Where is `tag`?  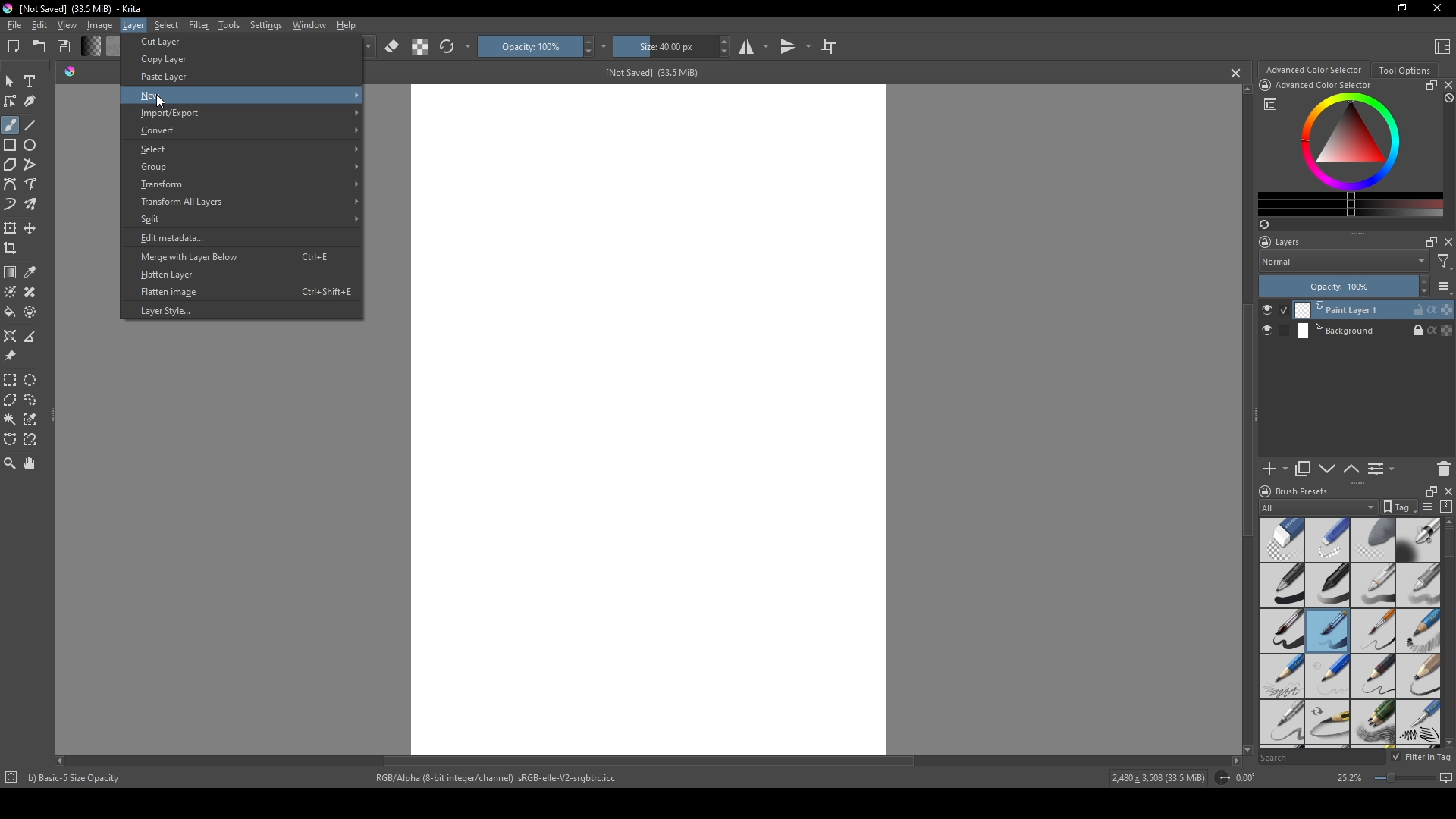 tag is located at coordinates (1398, 507).